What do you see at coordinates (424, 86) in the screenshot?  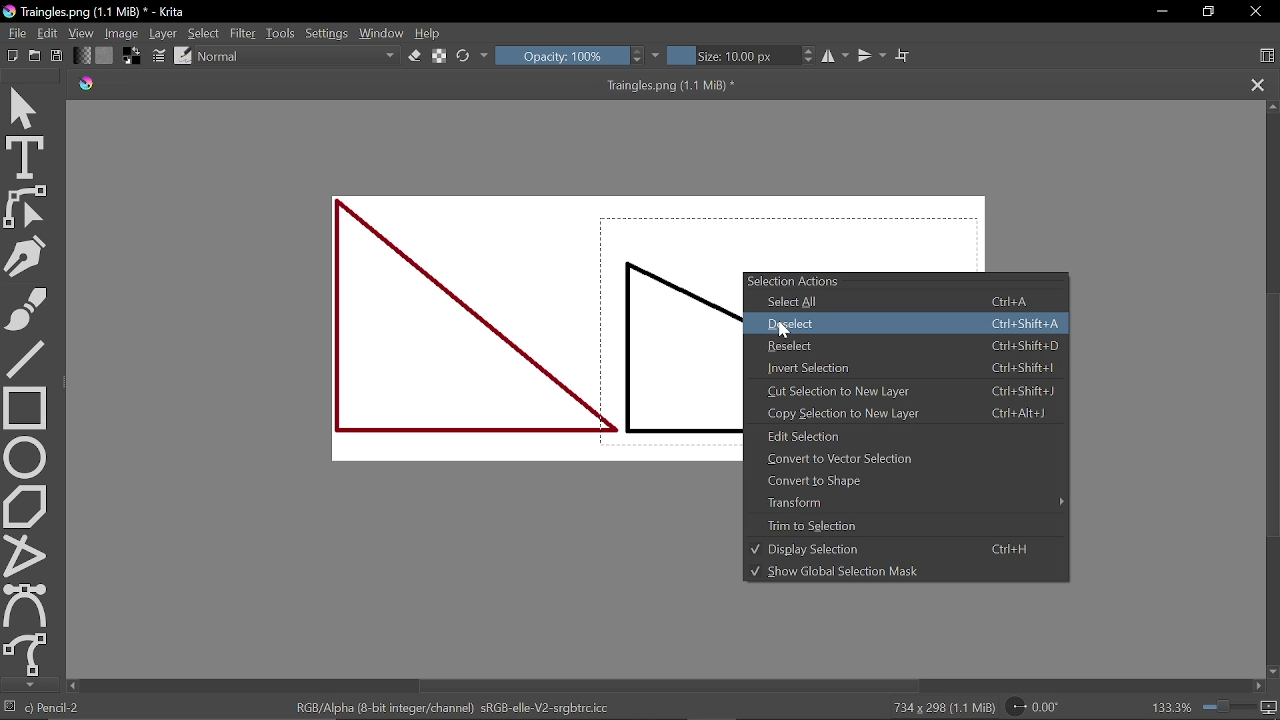 I see `Traingles.png (1.1 MiB) *` at bounding box center [424, 86].